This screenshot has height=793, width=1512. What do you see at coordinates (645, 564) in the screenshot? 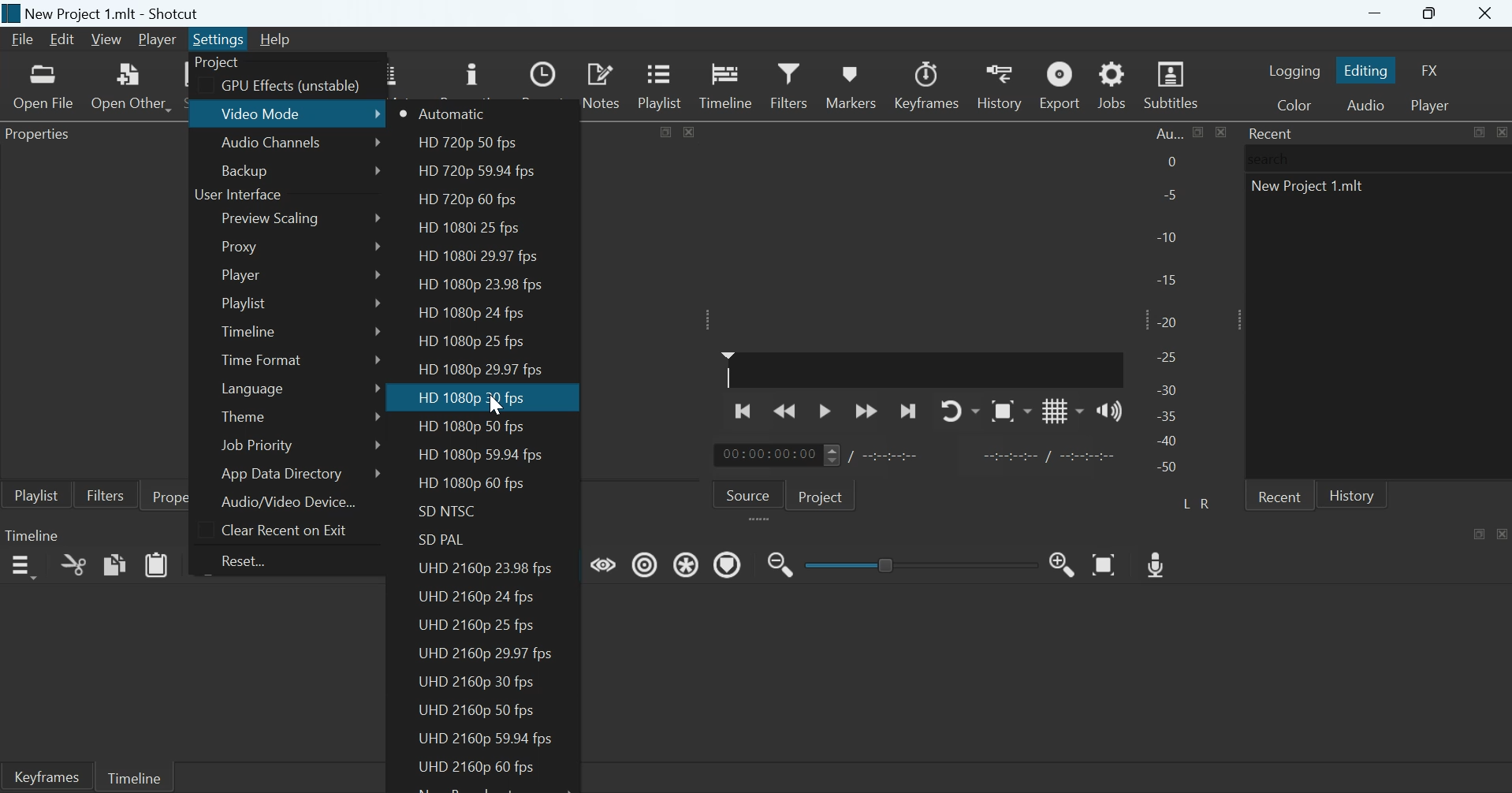
I see `Ripple` at bounding box center [645, 564].